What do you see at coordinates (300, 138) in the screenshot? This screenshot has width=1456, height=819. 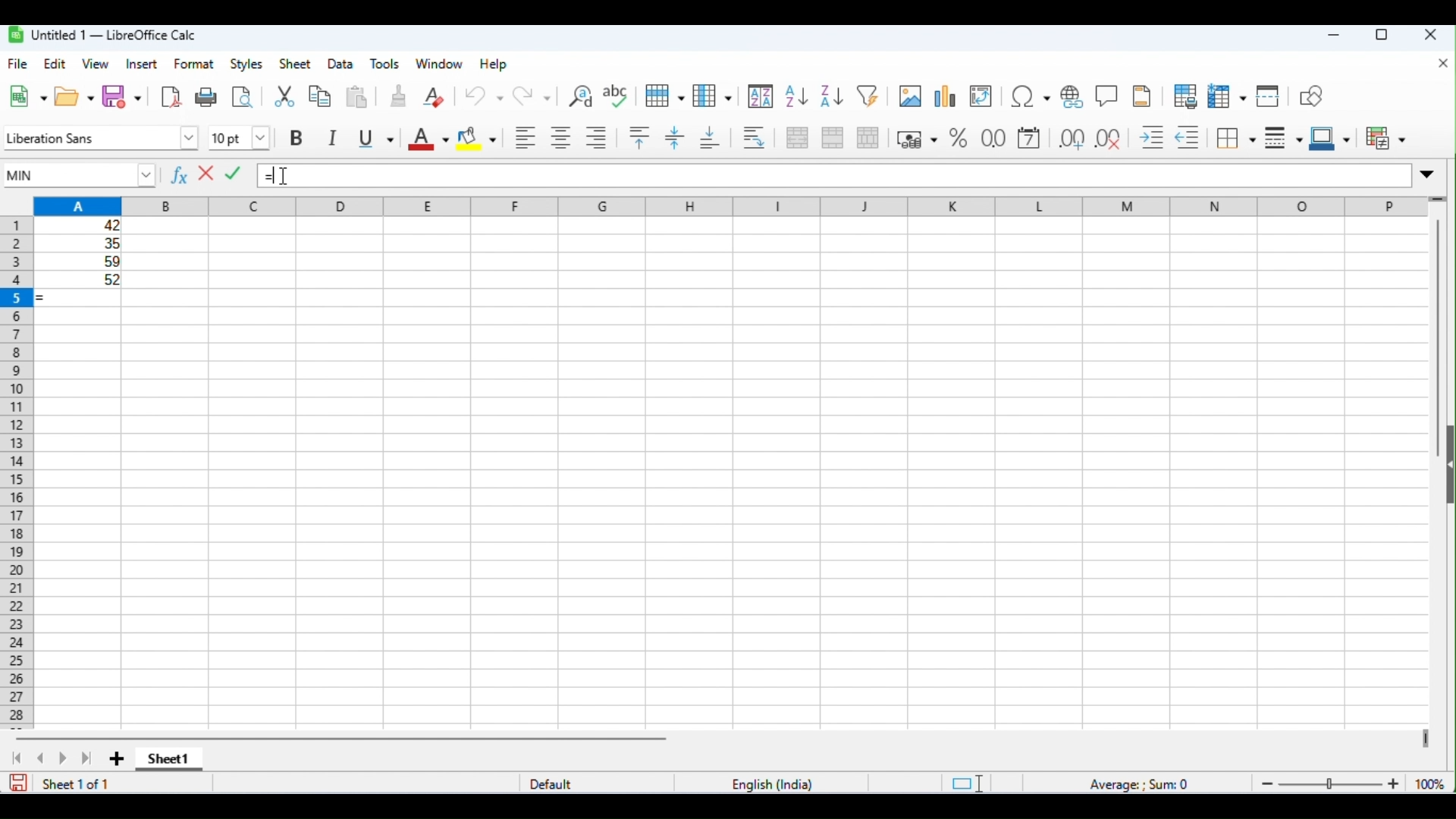 I see `bold` at bounding box center [300, 138].